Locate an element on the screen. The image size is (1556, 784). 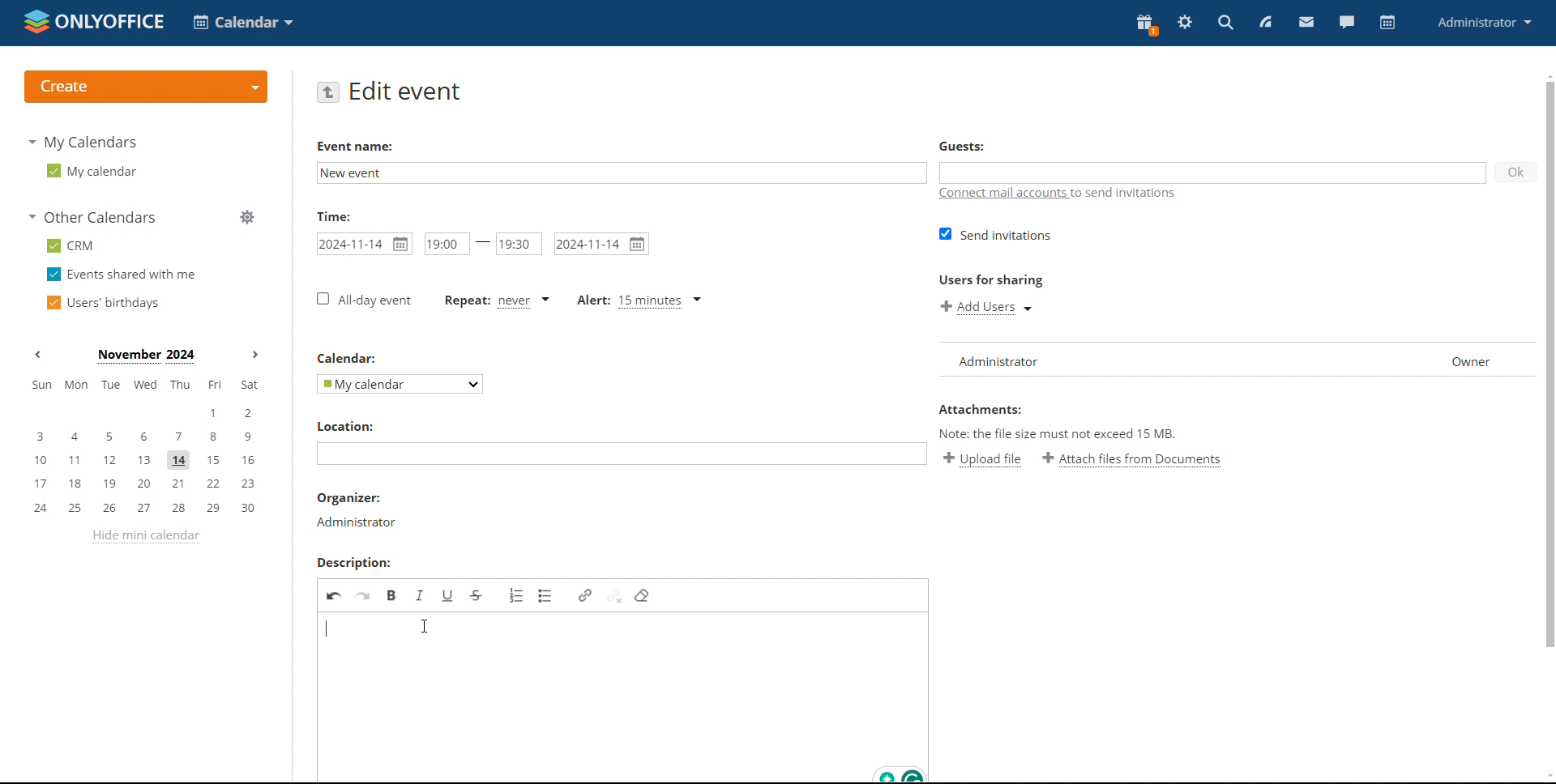
end time is located at coordinates (519, 245).